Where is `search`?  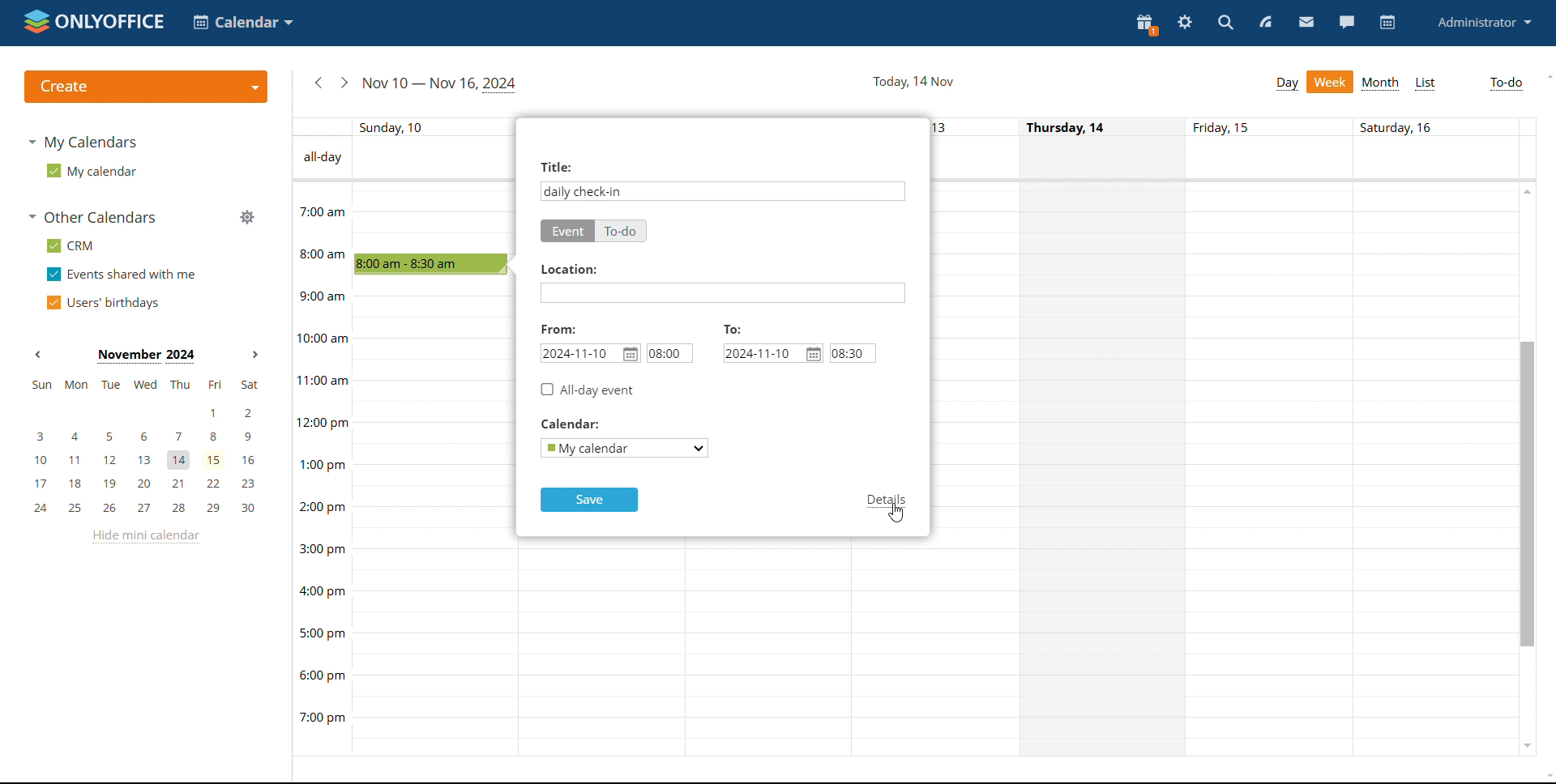 search is located at coordinates (1225, 23).